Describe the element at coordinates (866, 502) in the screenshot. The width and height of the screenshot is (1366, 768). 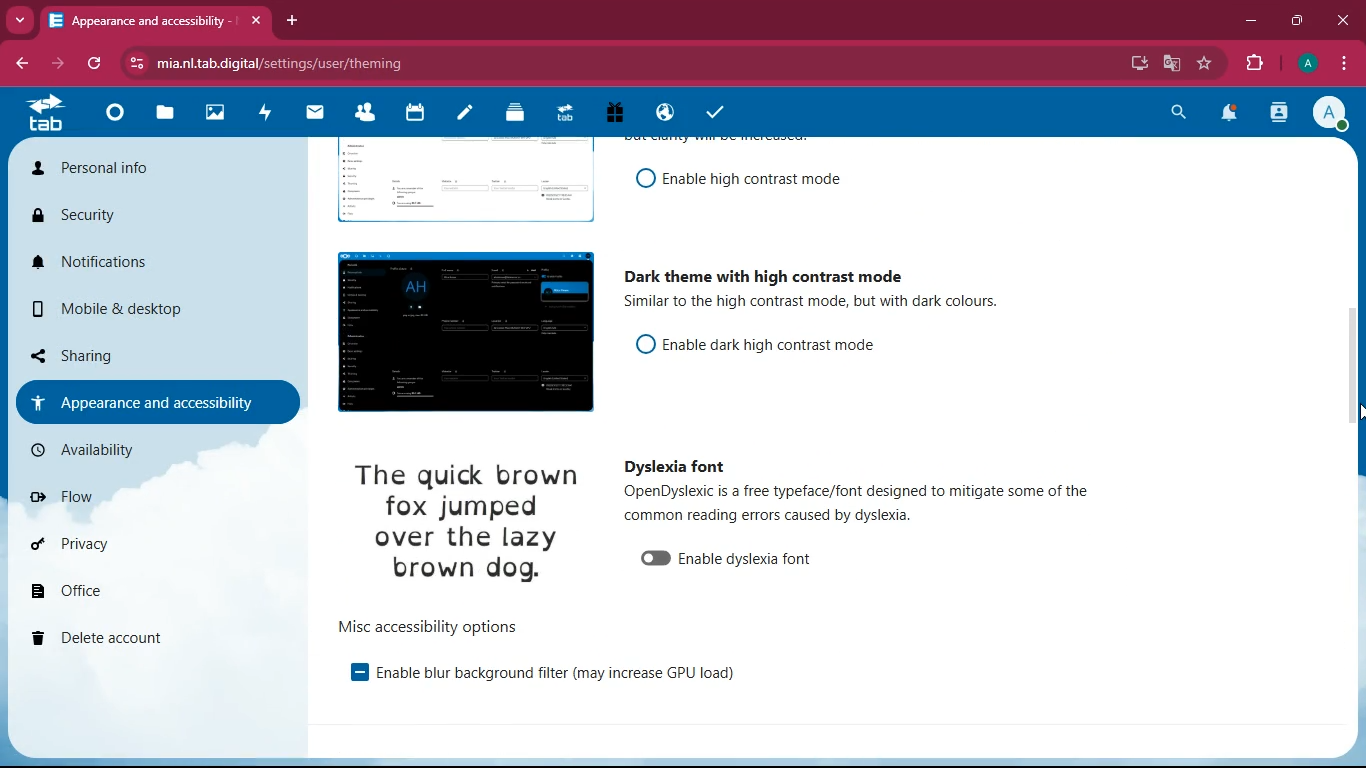
I see `description` at that location.